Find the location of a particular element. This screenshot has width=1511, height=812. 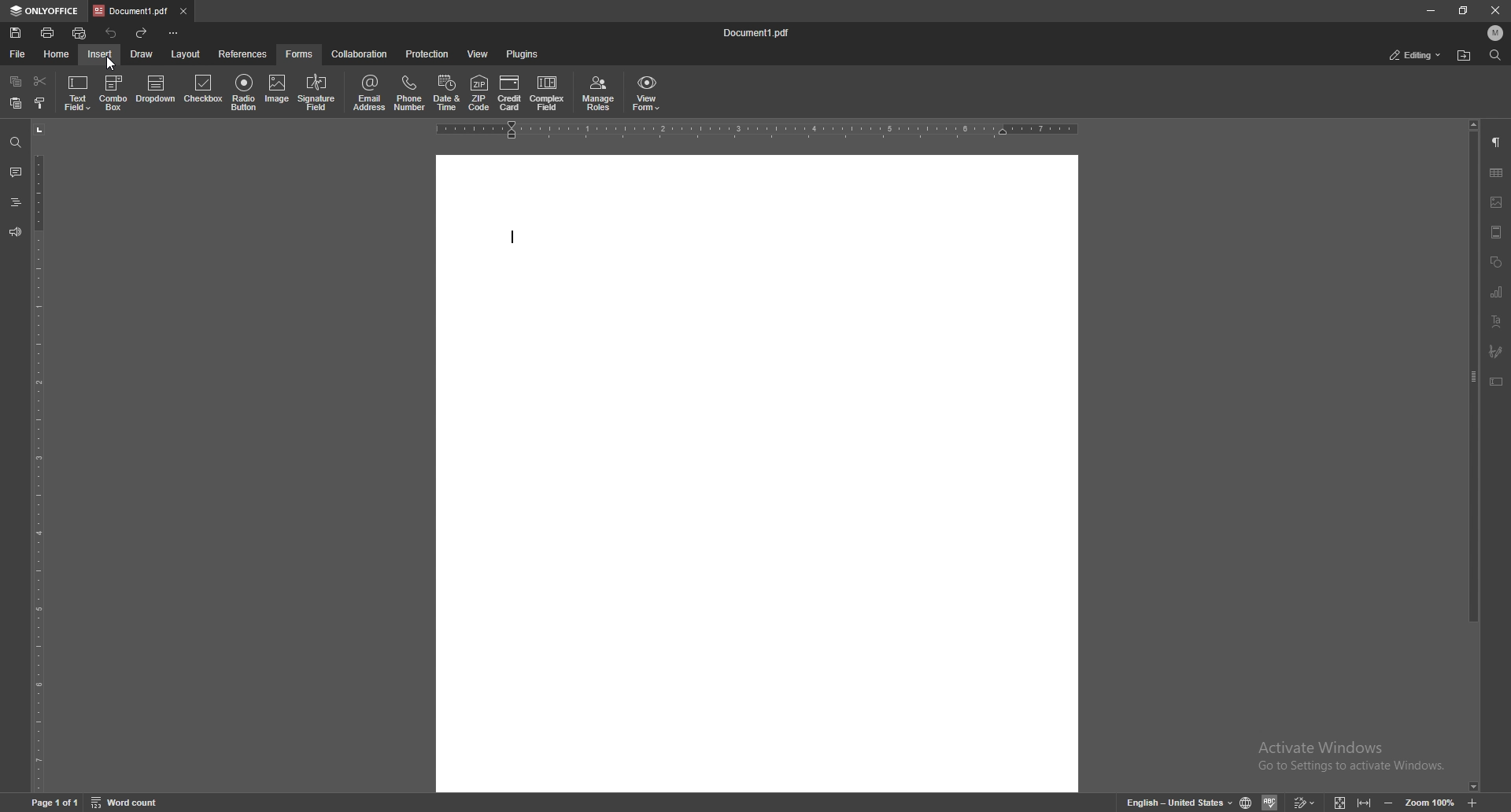

editing is located at coordinates (1413, 56).